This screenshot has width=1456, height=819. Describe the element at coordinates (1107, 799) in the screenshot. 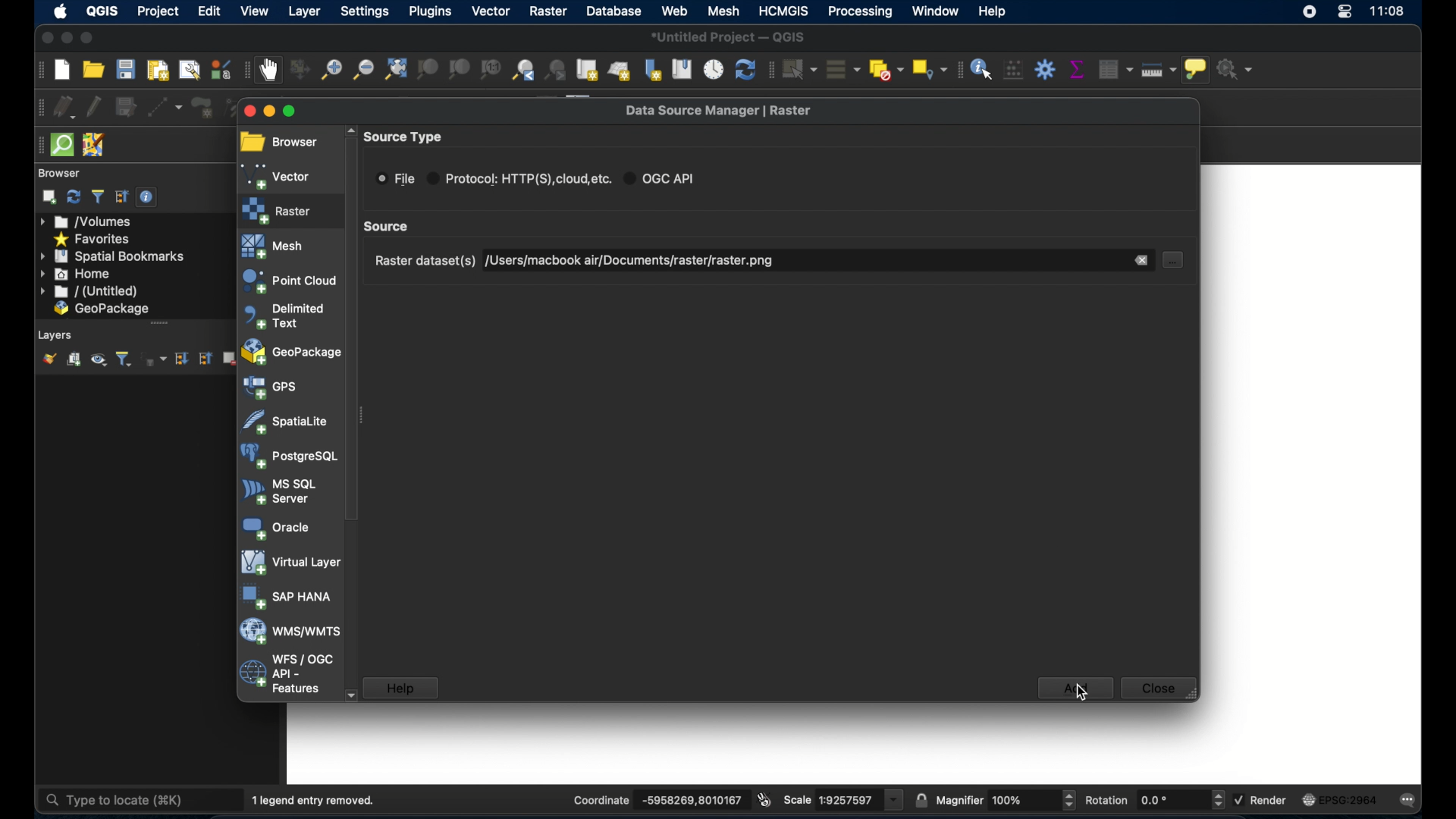

I see `rotations` at that location.